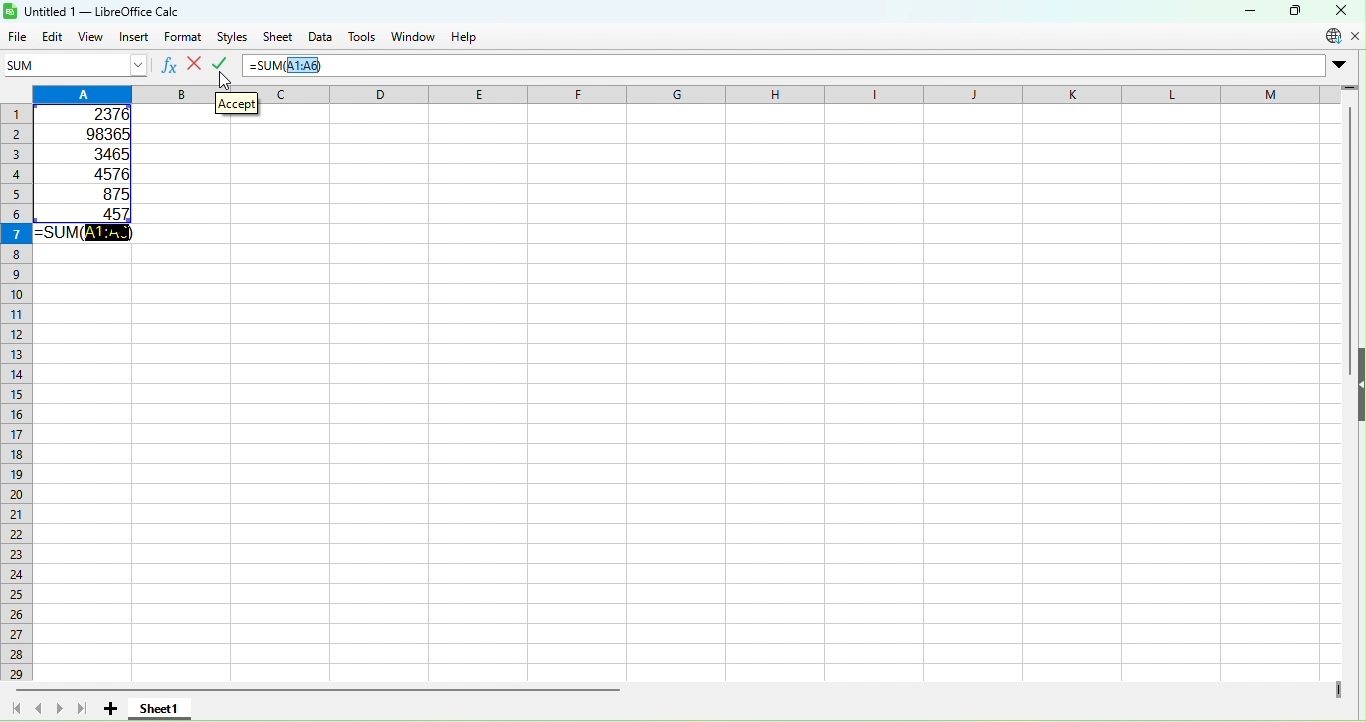 The height and width of the screenshot is (722, 1366). Describe the element at coordinates (1357, 36) in the screenshot. I see `Close document` at that location.